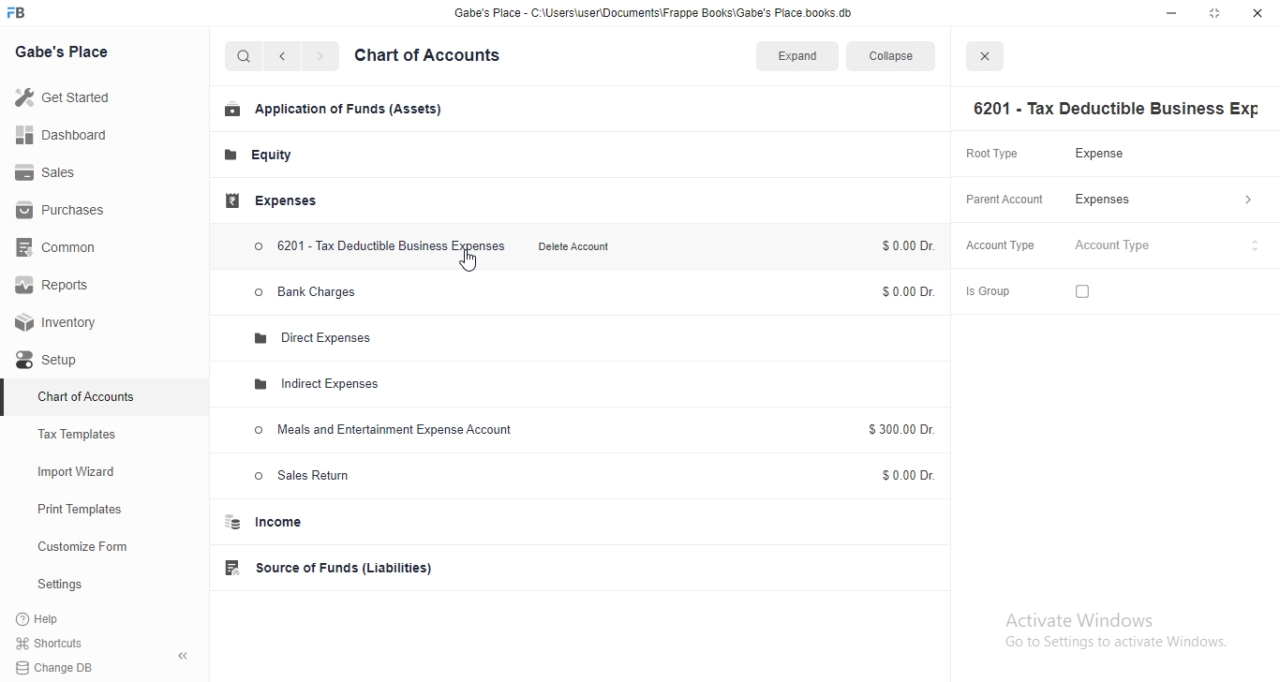 This screenshot has width=1280, height=682. Describe the element at coordinates (1169, 14) in the screenshot. I see `minimize` at that location.